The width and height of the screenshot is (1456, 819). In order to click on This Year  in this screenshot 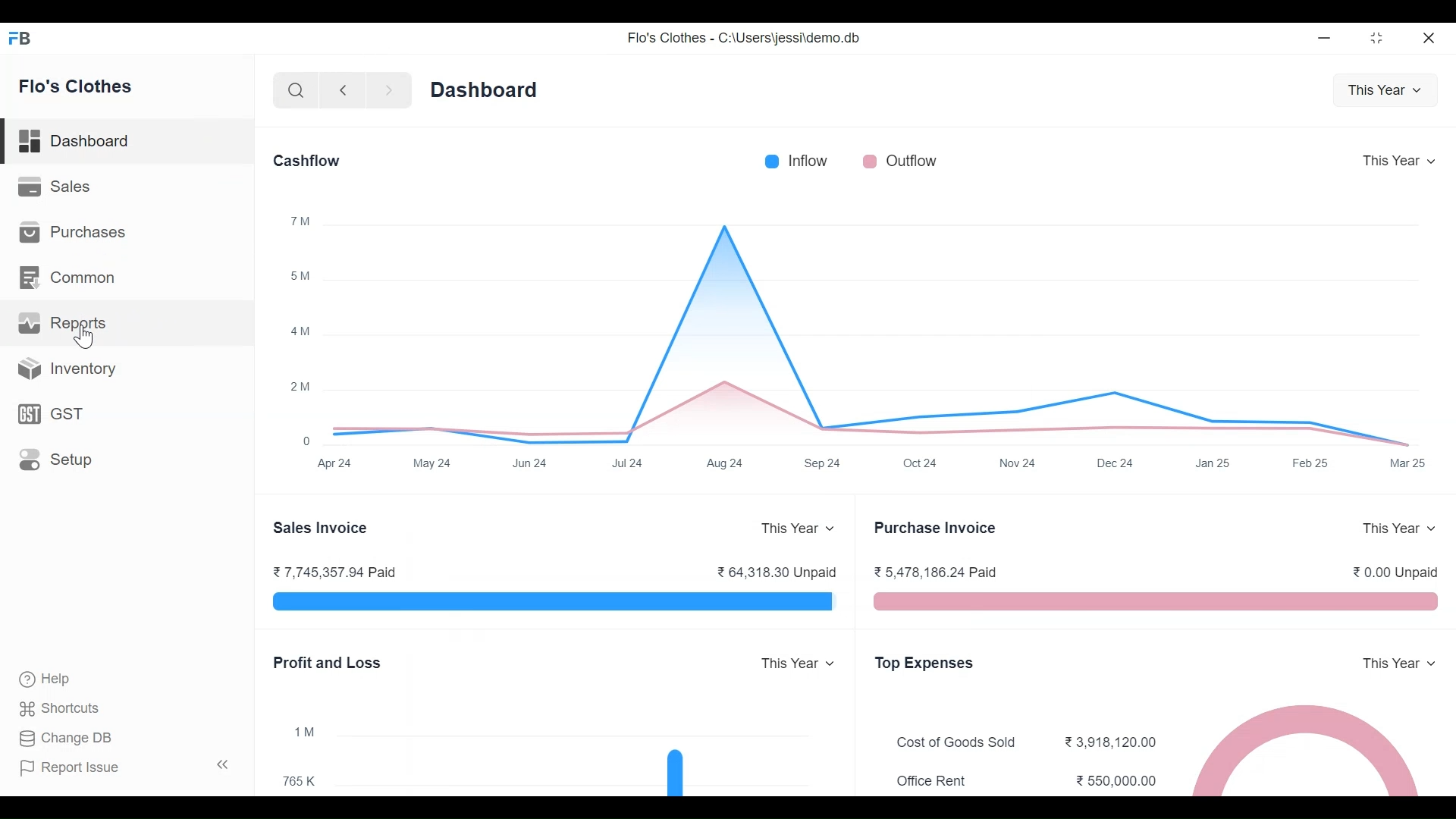, I will do `click(1399, 529)`.